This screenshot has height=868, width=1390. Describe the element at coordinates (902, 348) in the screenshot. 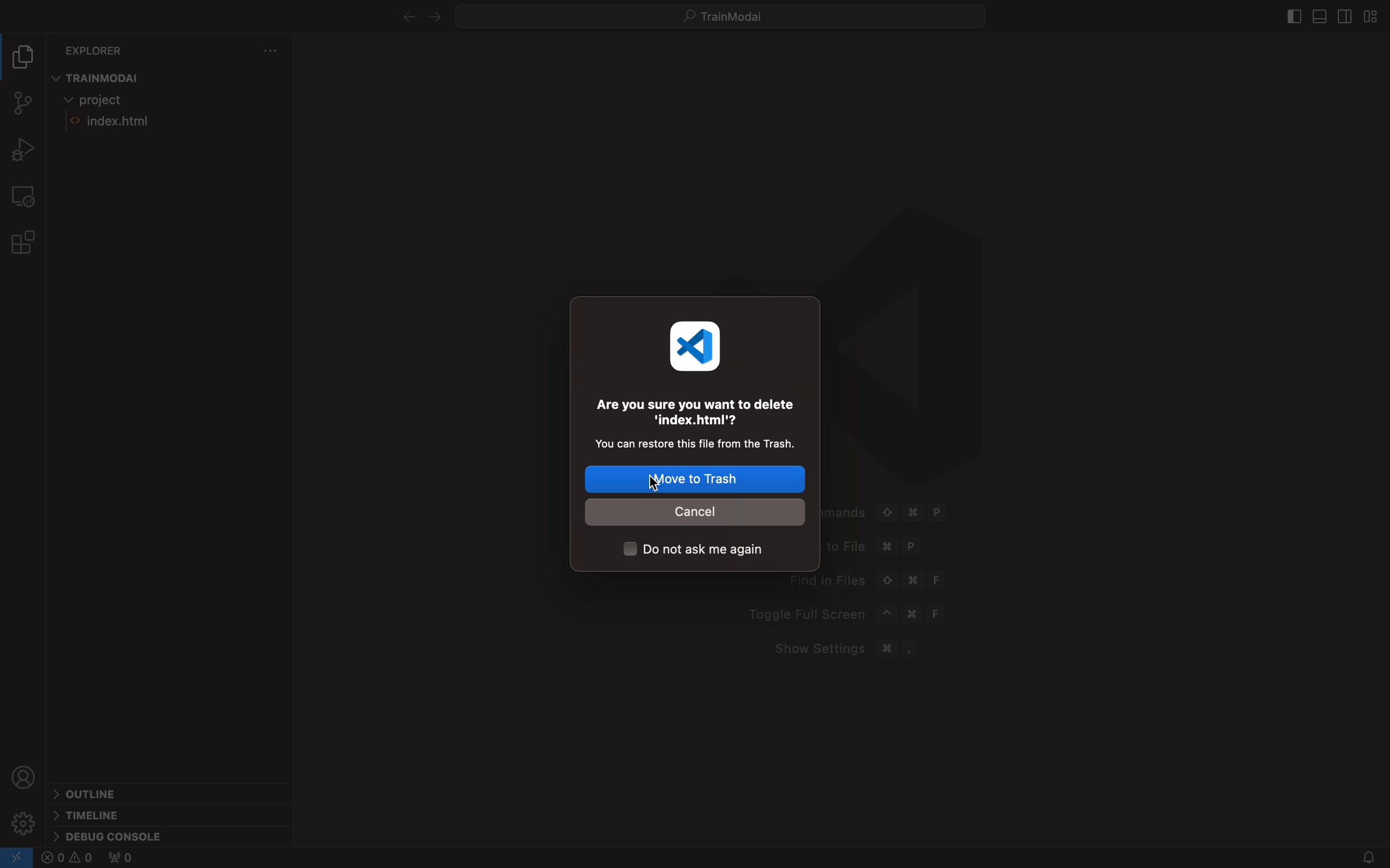

I see `Icon` at that location.